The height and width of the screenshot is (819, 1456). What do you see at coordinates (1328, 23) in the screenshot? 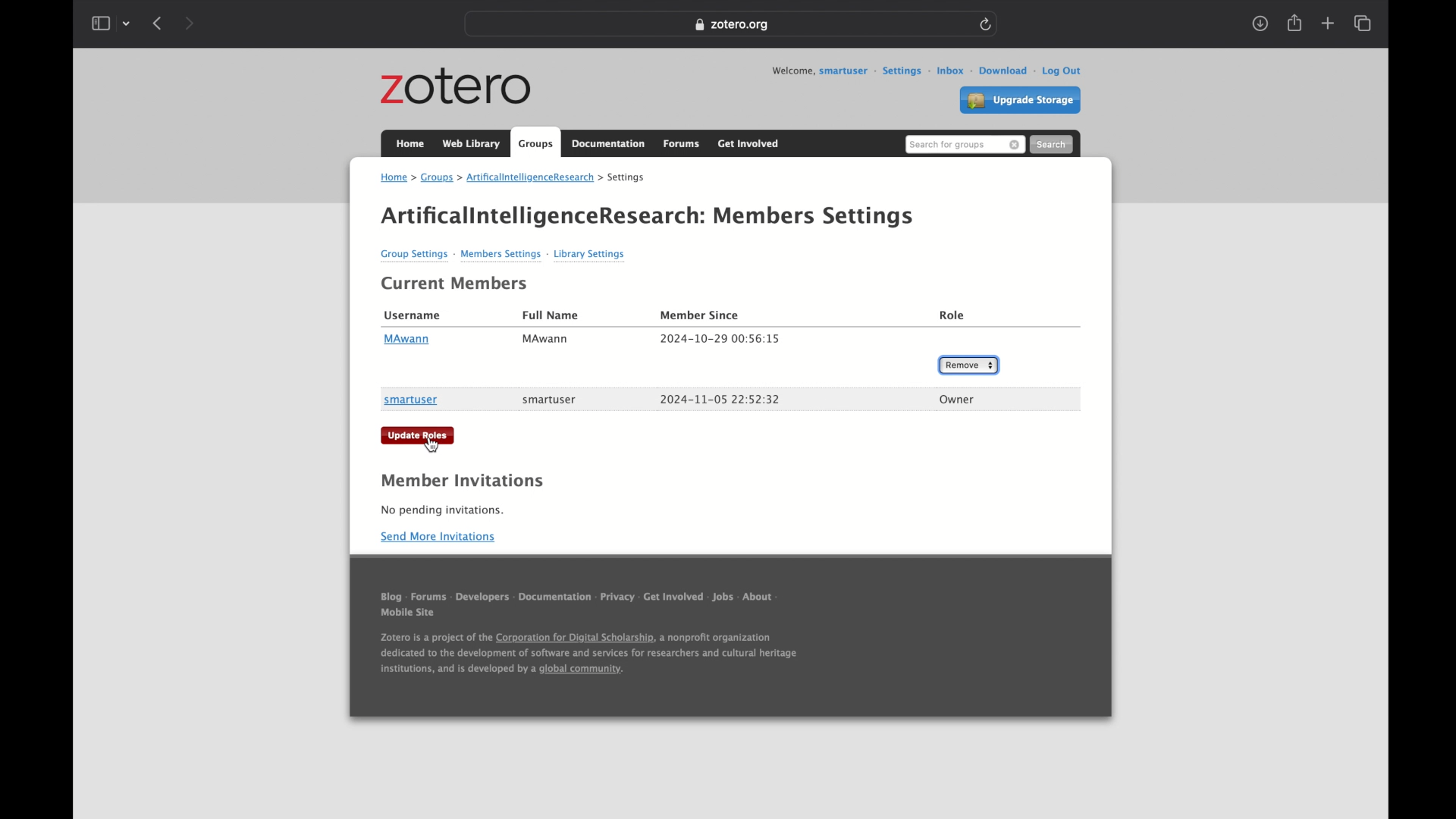
I see `new tab` at bounding box center [1328, 23].